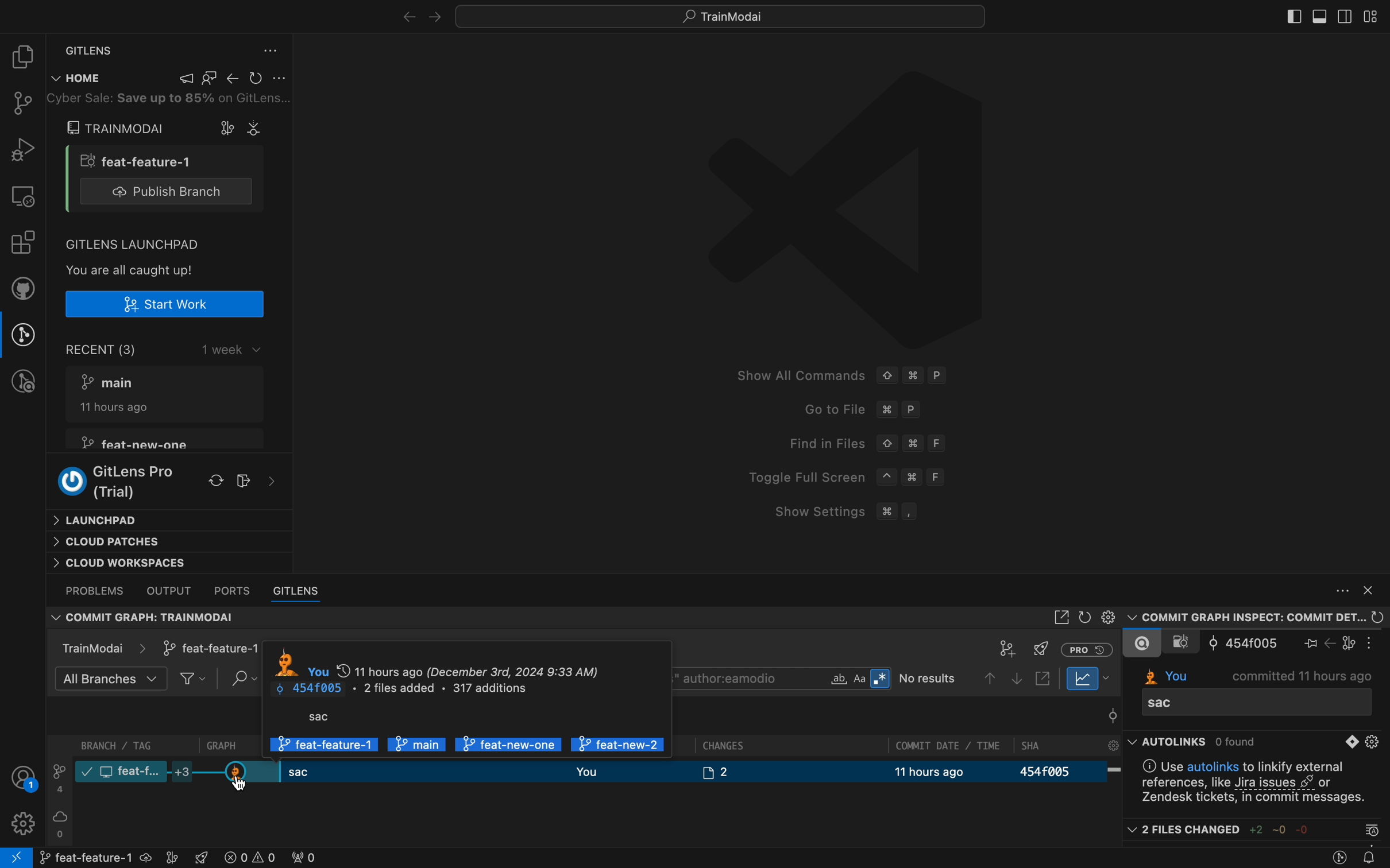  I want to click on create a new branch to work, so click(168, 304).